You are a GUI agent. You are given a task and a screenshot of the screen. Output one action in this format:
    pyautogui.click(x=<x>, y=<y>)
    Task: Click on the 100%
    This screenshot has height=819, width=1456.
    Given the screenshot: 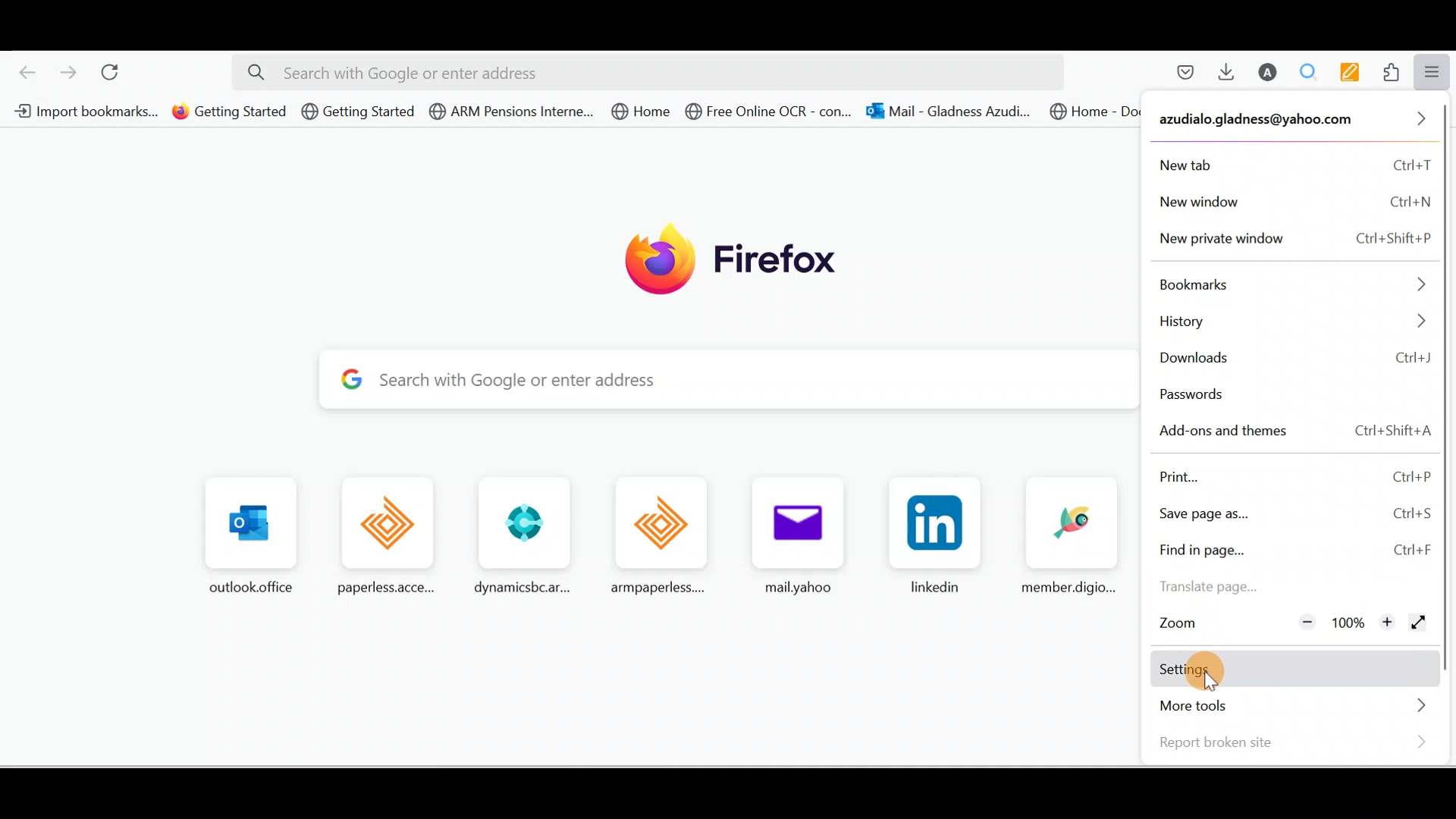 What is the action you would take?
    pyautogui.click(x=1351, y=626)
    